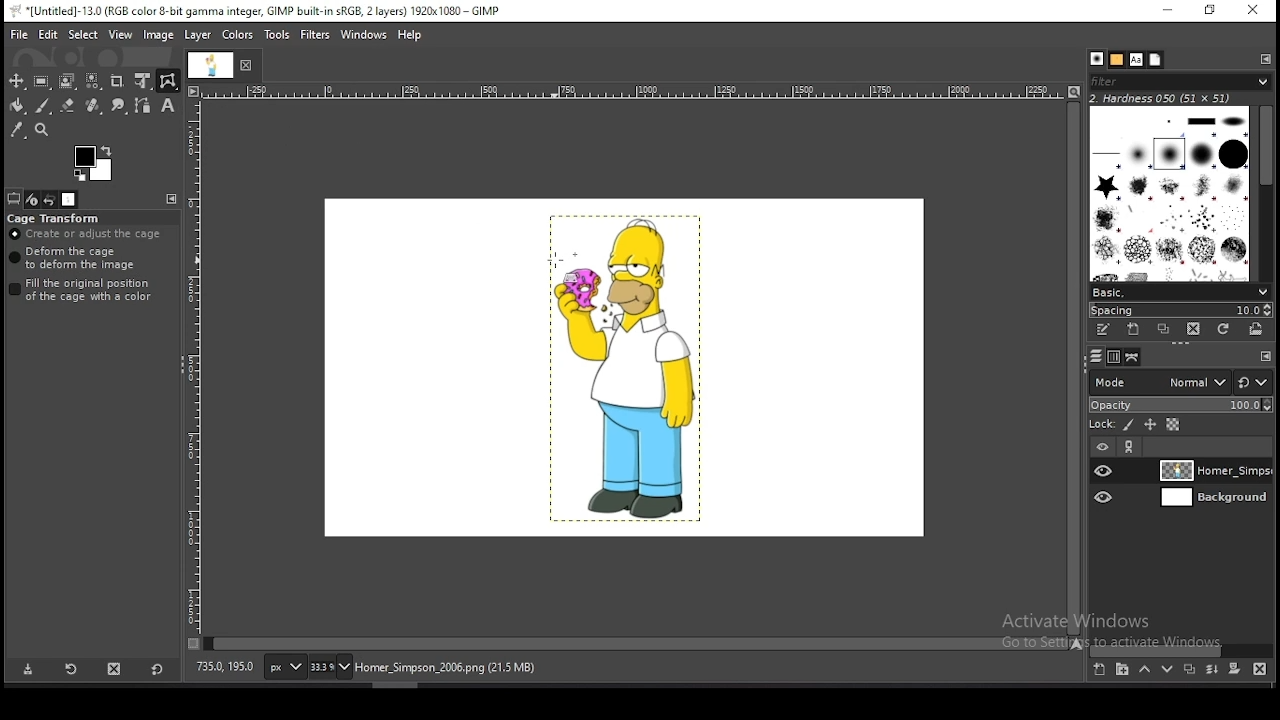 This screenshot has height=720, width=1280. I want to click on document history, so click(1155, 60).